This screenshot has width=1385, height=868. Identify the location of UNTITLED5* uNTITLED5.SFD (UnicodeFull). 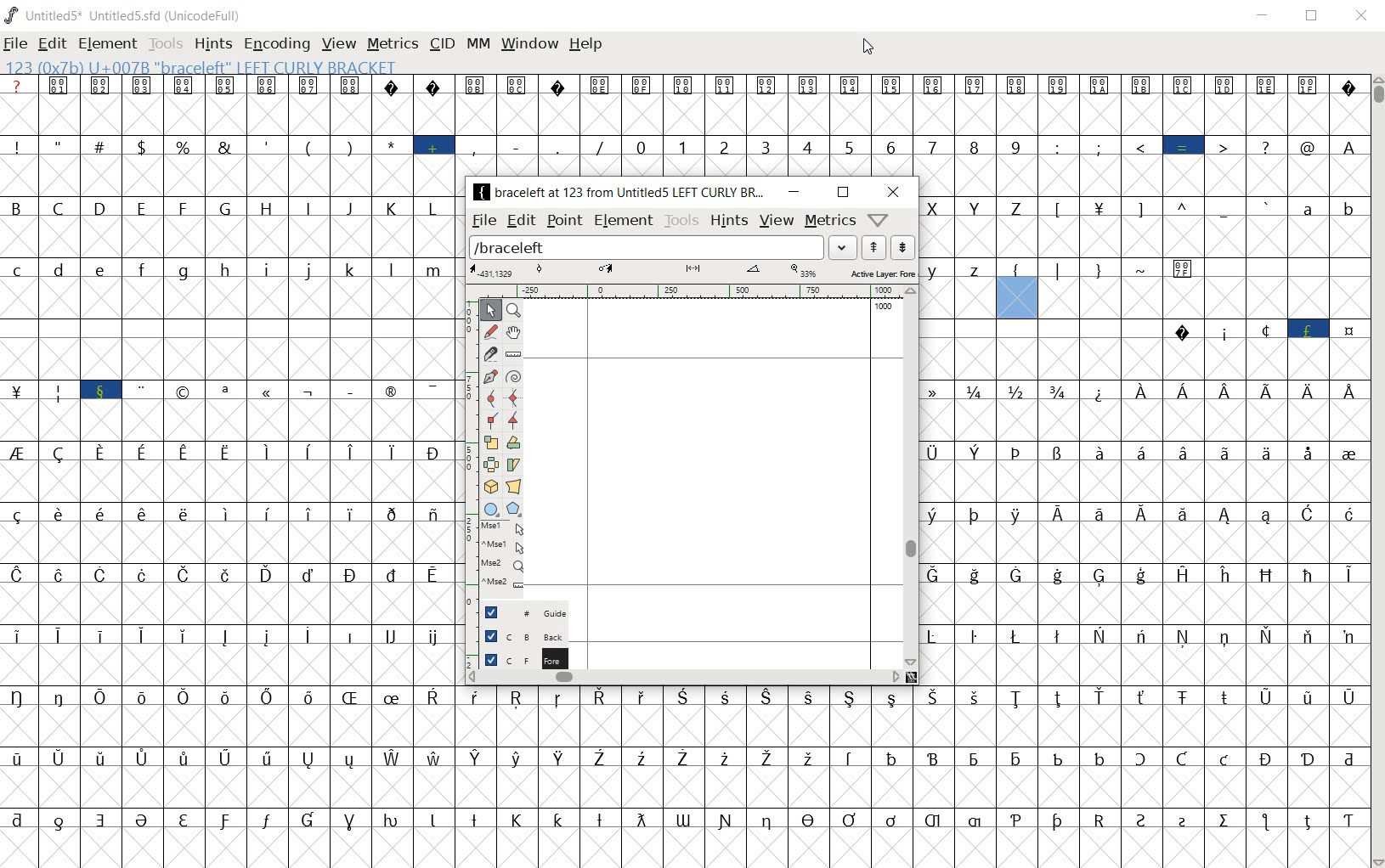
(124, 16).